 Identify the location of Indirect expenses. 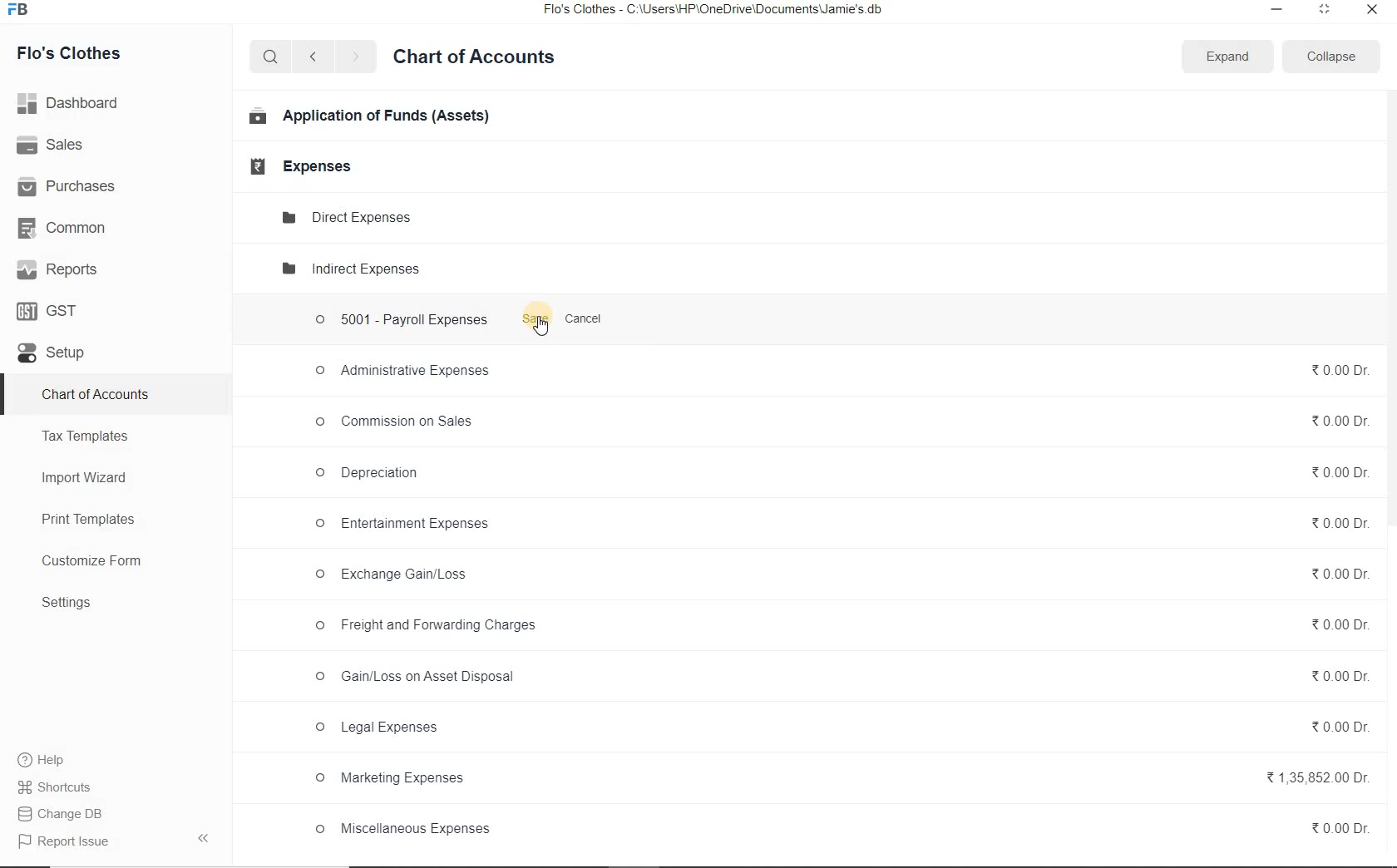
(348, 270).